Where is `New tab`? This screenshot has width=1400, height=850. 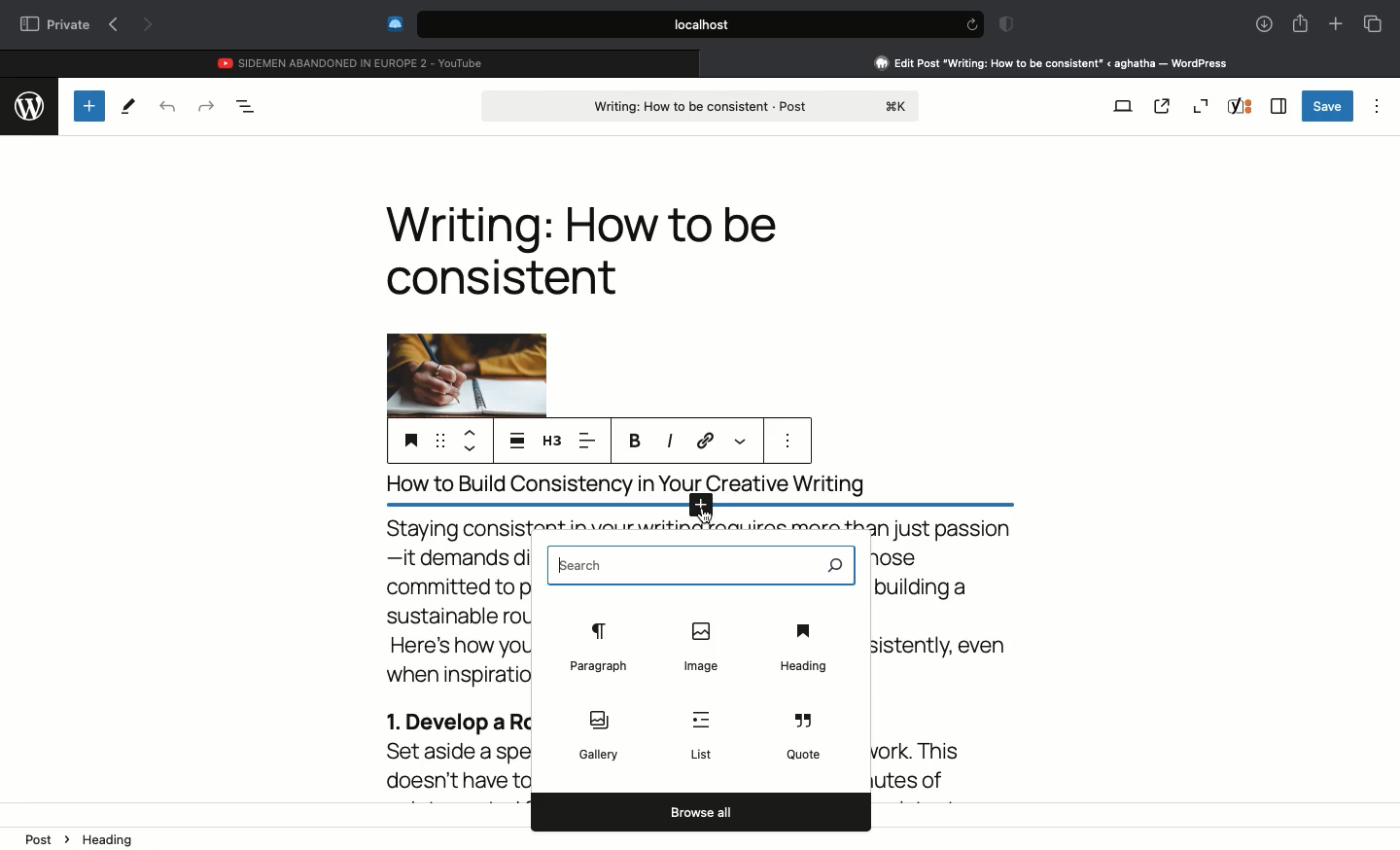
New tab is located at coordinates (1336, 24).